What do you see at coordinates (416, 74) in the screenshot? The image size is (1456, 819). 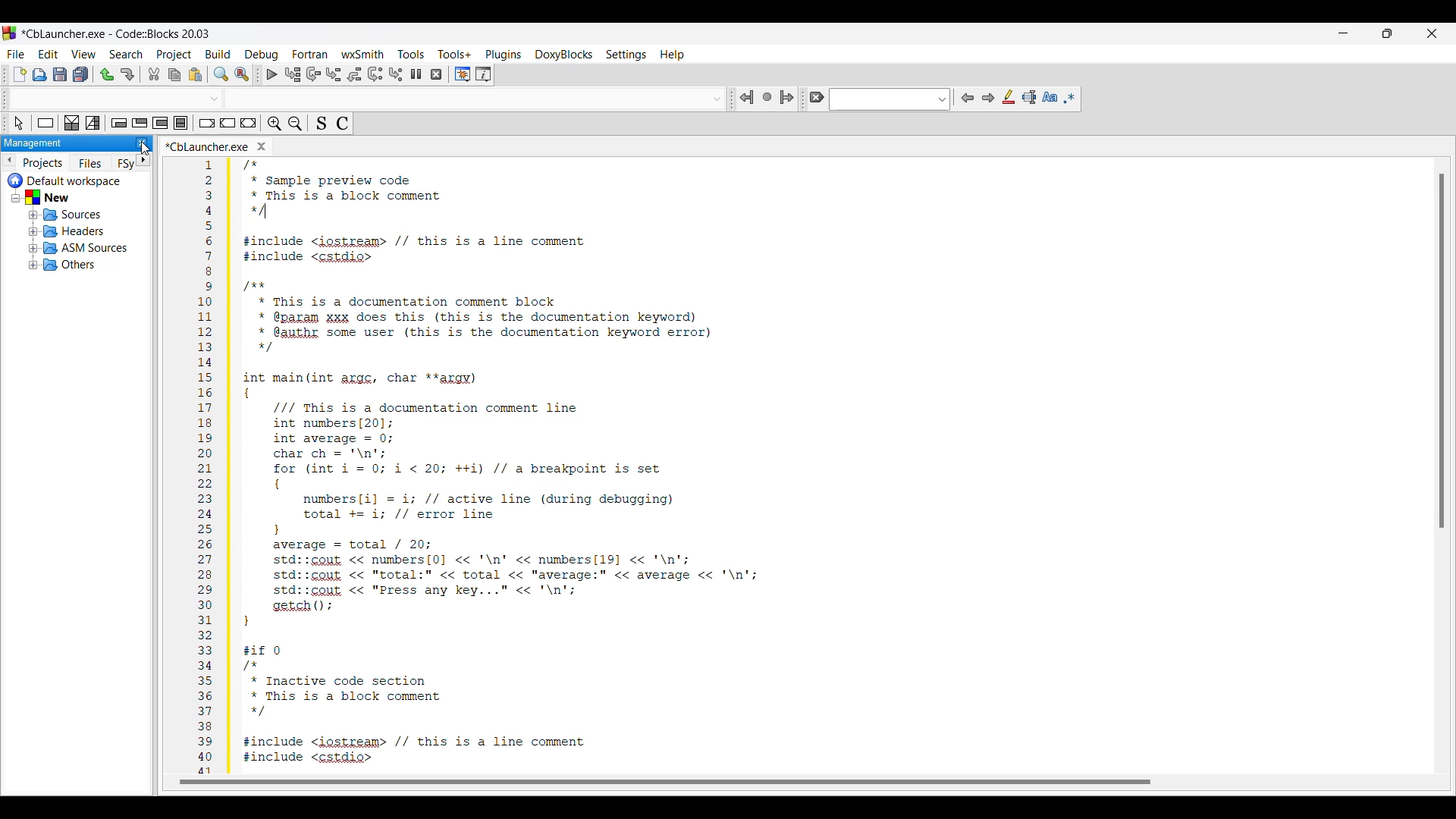 I see `Break debugger` at bounding box center [416, 74].